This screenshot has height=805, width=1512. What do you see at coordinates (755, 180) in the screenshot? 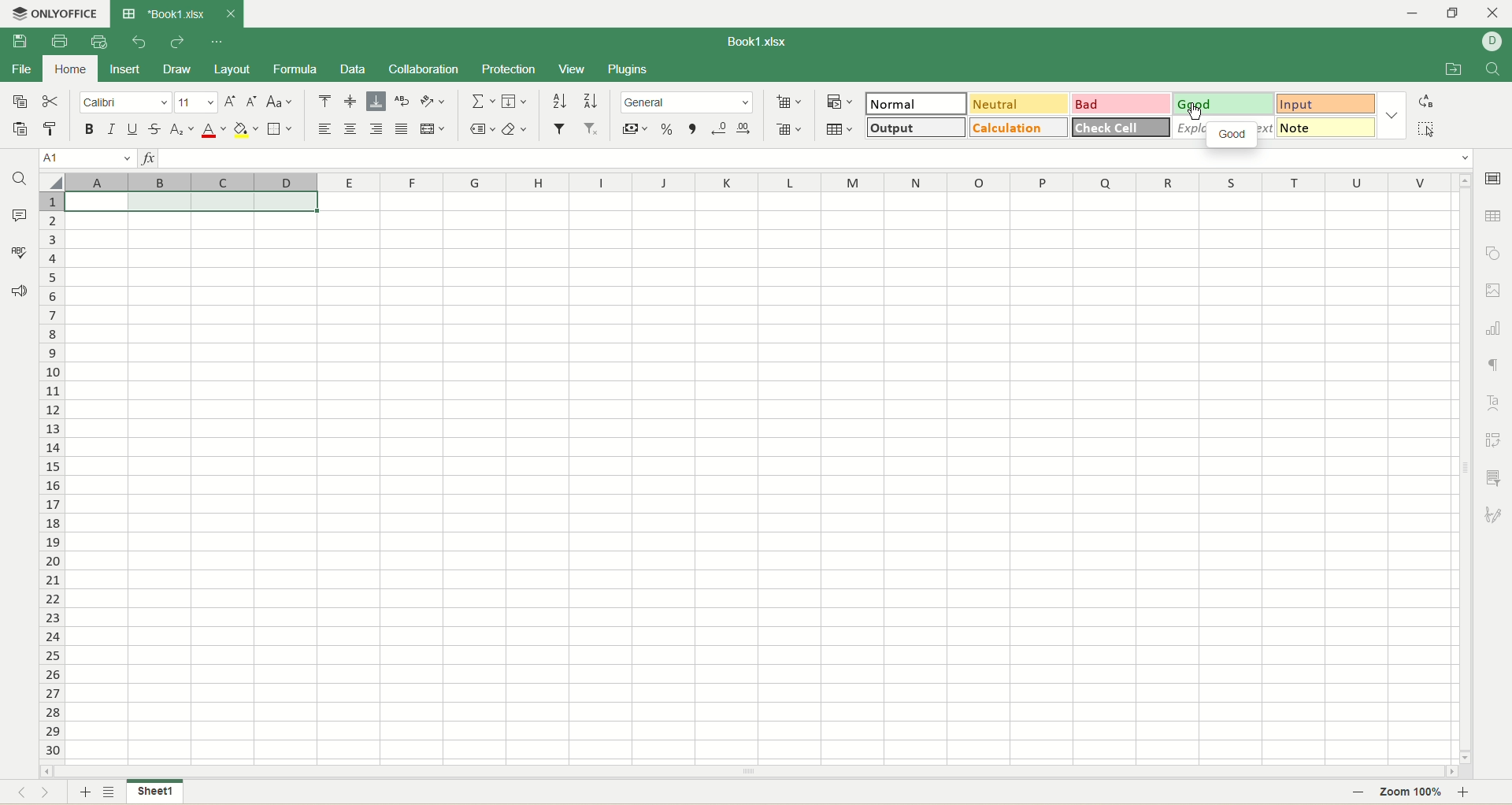
I see `column name` at bounding box center [755, 180].